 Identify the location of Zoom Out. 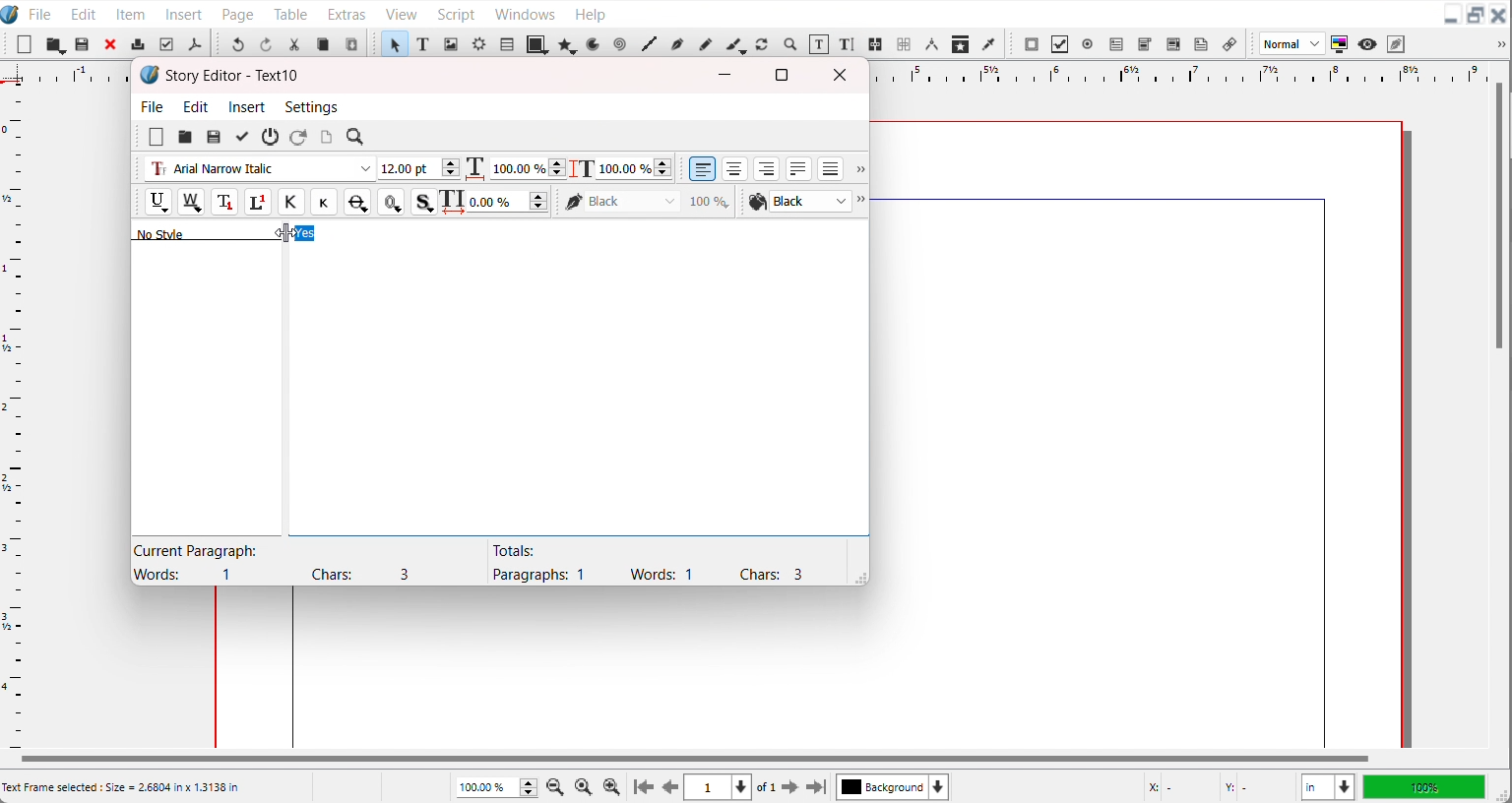
(557, 785).